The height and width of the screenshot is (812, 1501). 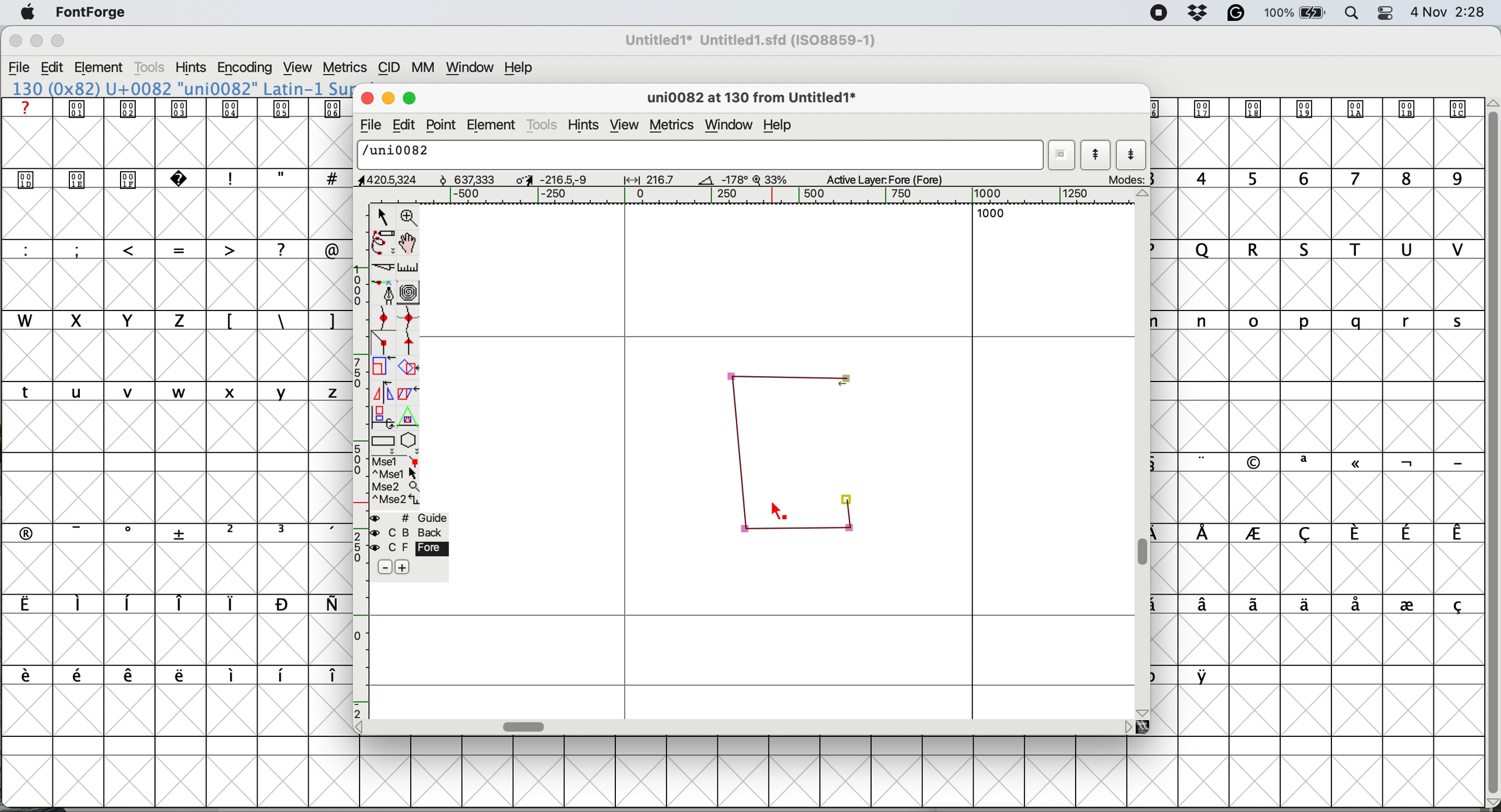 I want to click on edit, so click(x=401, y=126).